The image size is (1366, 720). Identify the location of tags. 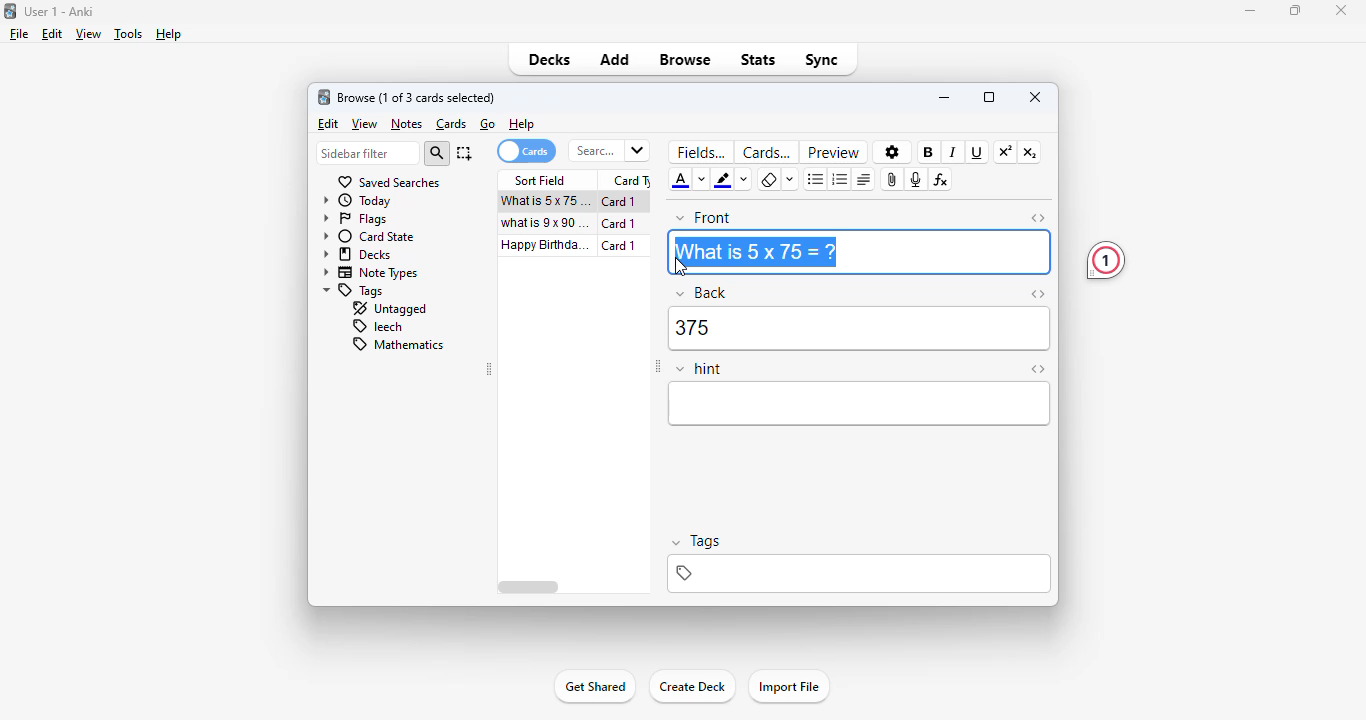
(697, 541).